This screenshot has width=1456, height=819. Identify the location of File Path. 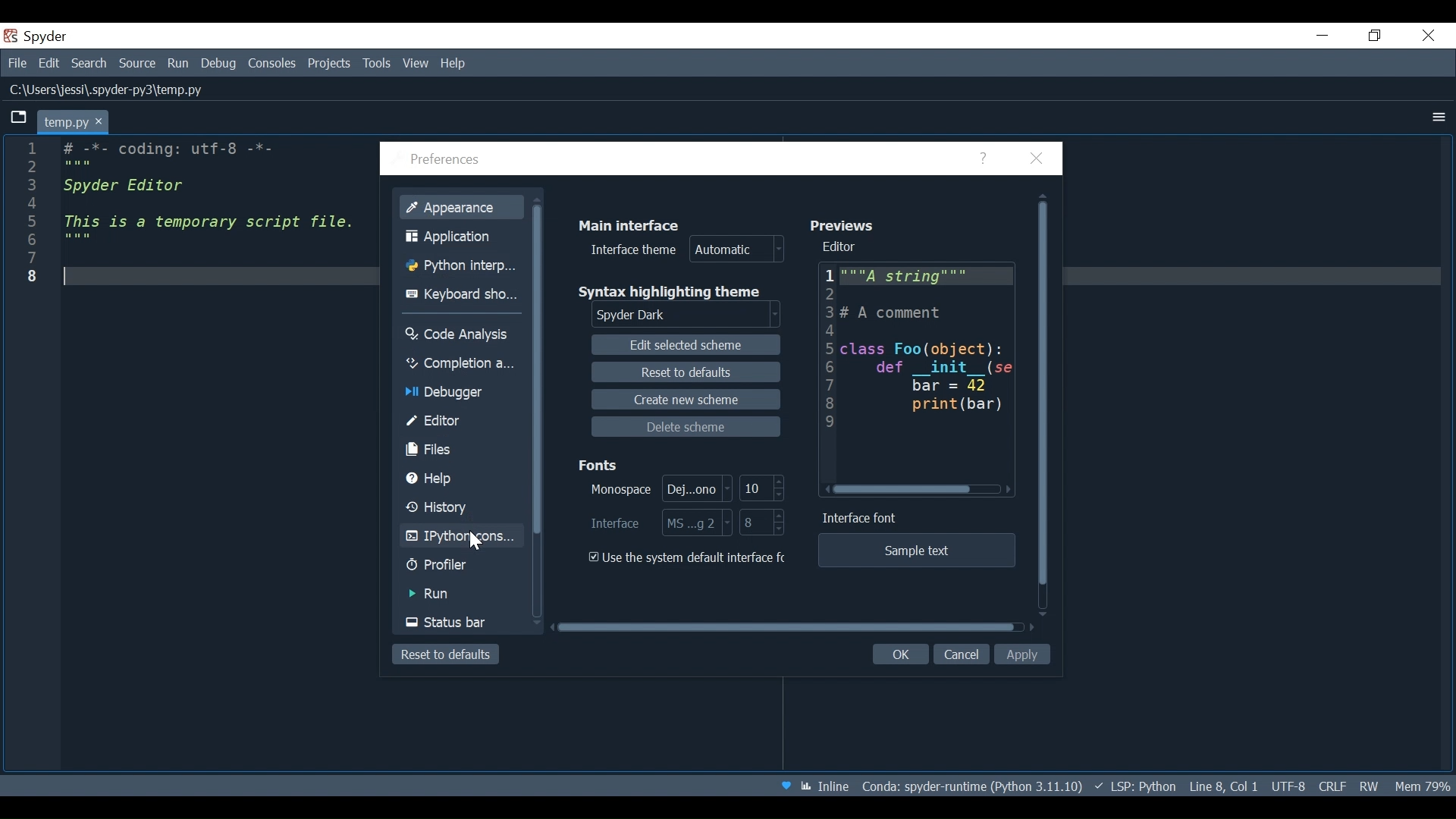
(108, 91).